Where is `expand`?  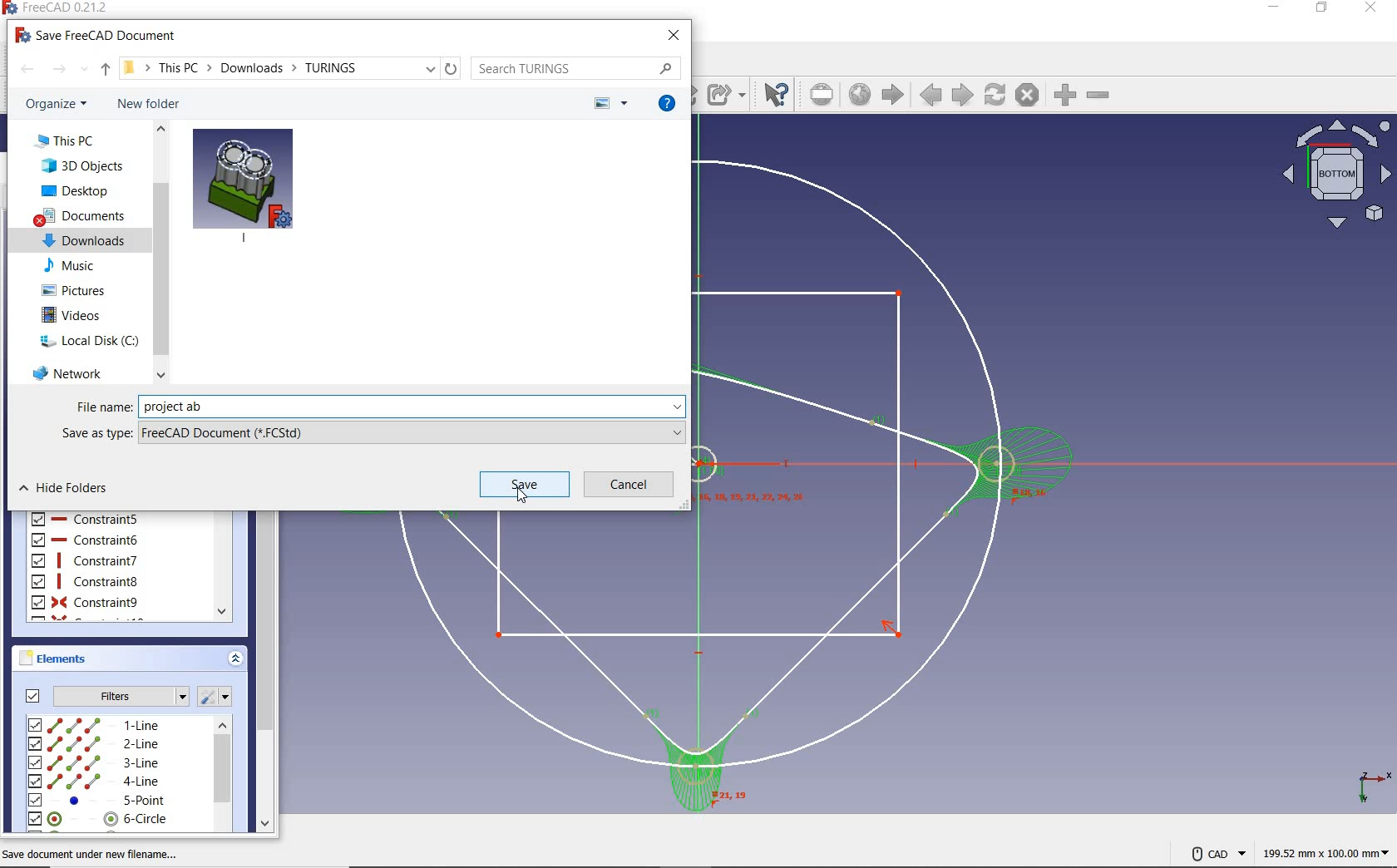
expand is located at coordinates (234, 660).